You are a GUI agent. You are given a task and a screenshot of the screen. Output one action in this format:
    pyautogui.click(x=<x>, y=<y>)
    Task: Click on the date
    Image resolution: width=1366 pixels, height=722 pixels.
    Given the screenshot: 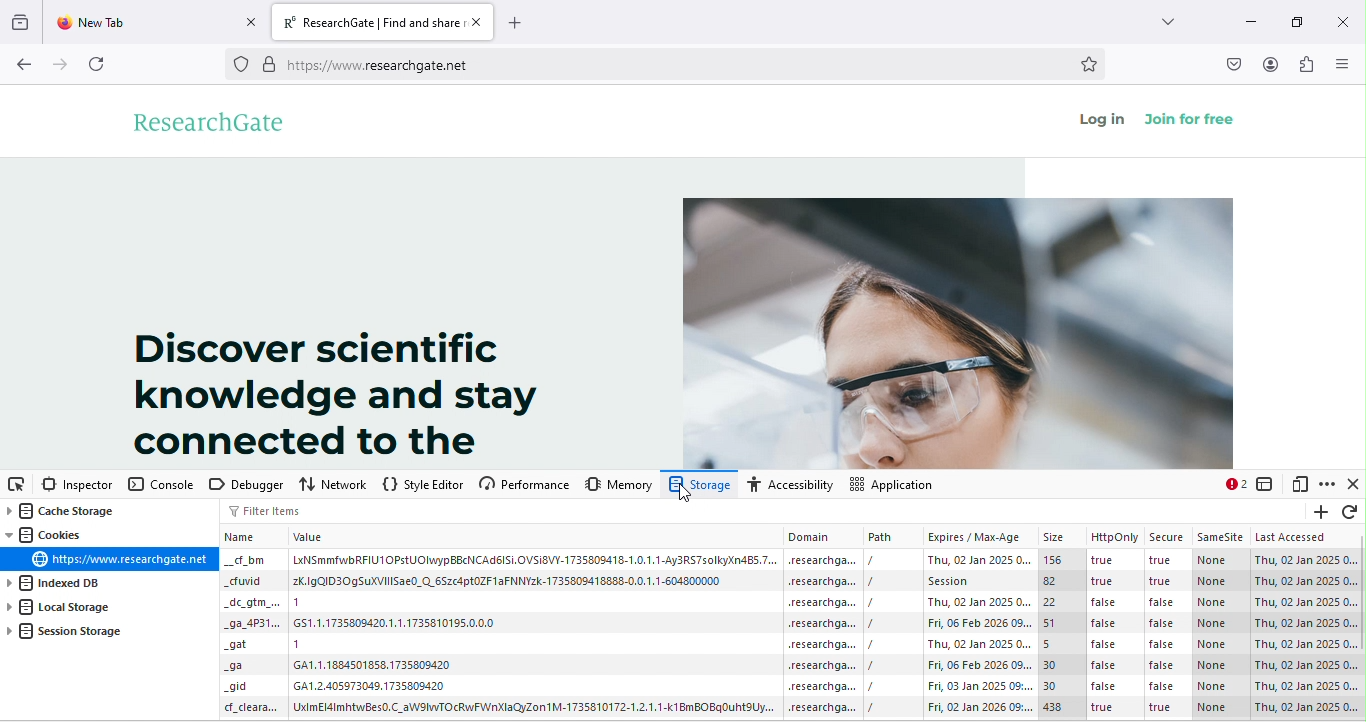 What is the action you would take?
    pyautogui.click(x=1309, y=560)
    